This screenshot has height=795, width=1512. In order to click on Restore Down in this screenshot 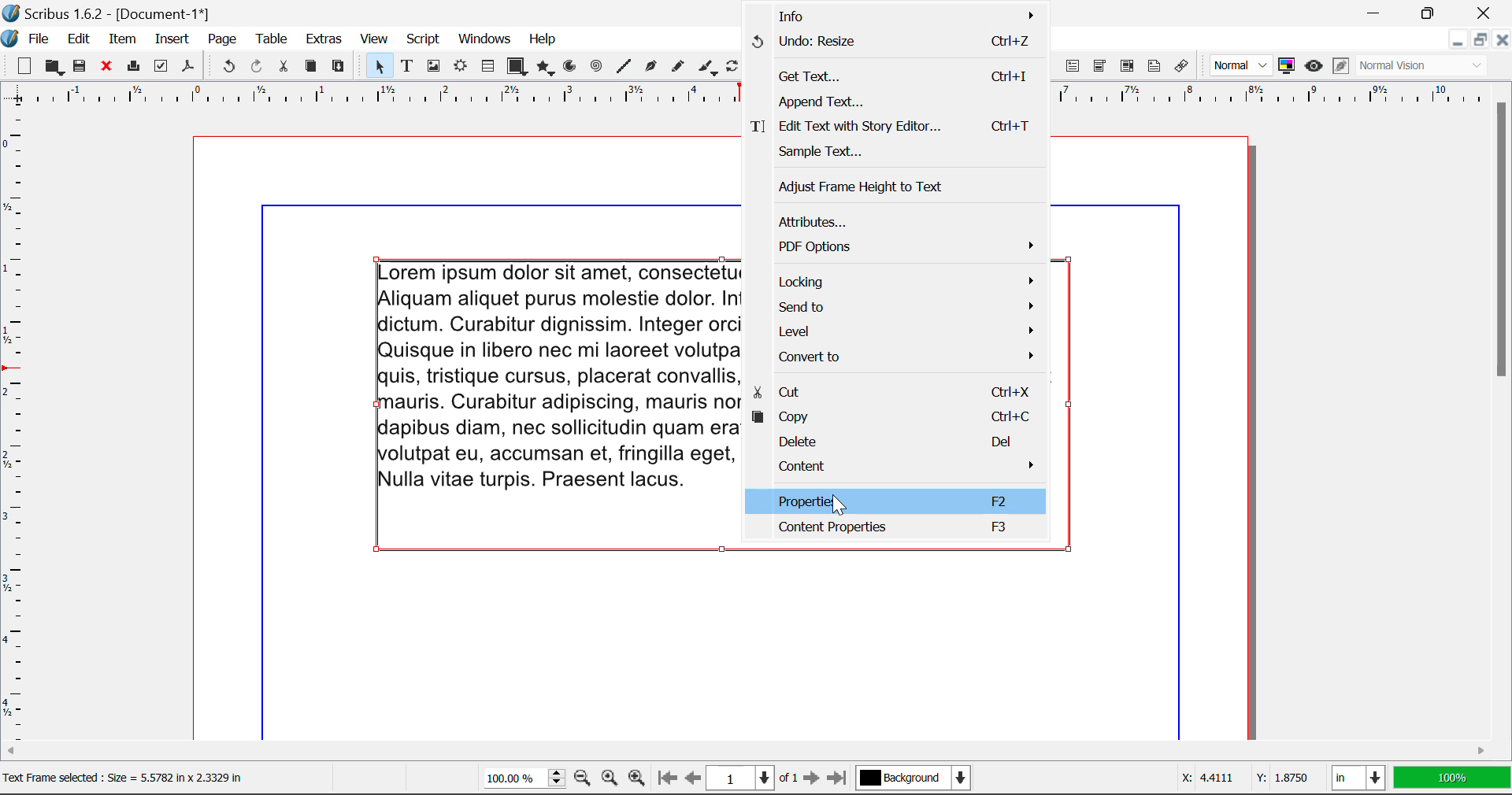, I will do `click(1376, 11)`.